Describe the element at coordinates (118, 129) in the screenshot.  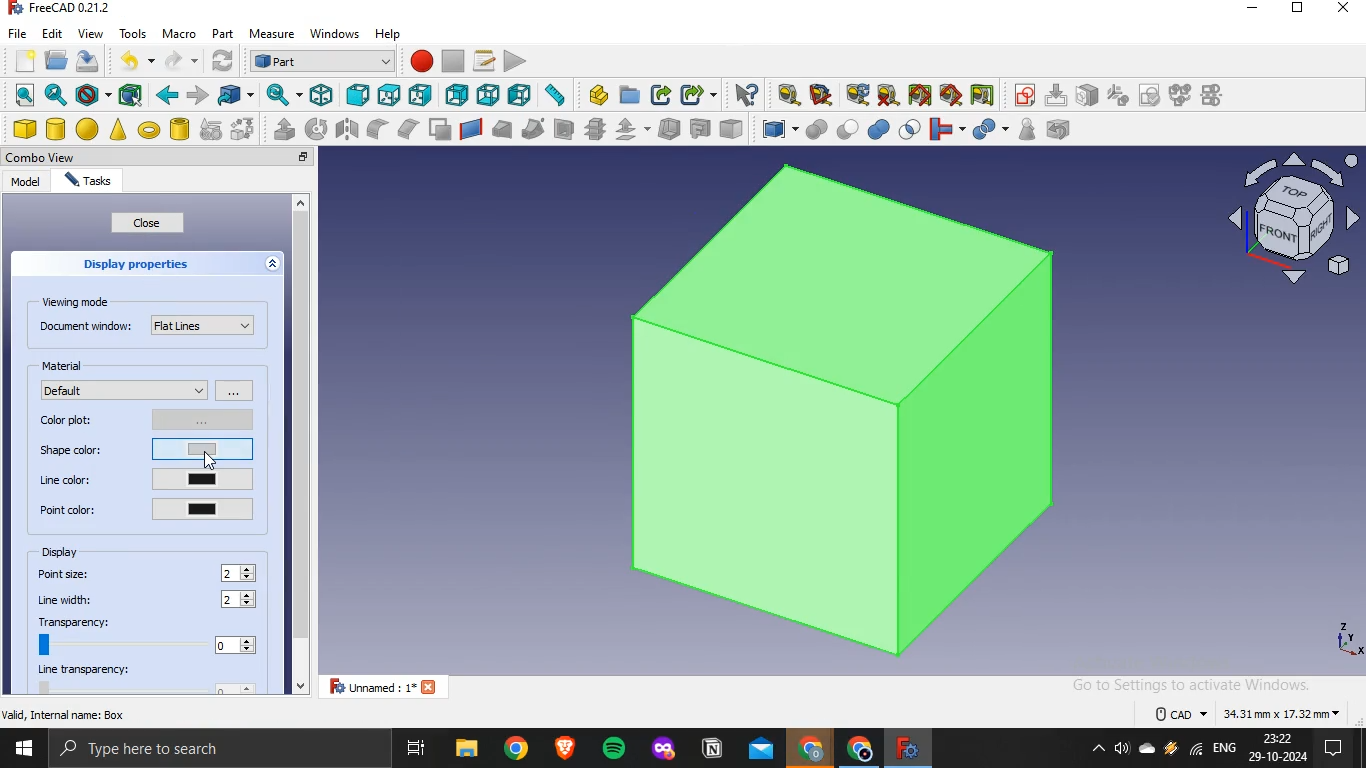
I see `cone` at that location.